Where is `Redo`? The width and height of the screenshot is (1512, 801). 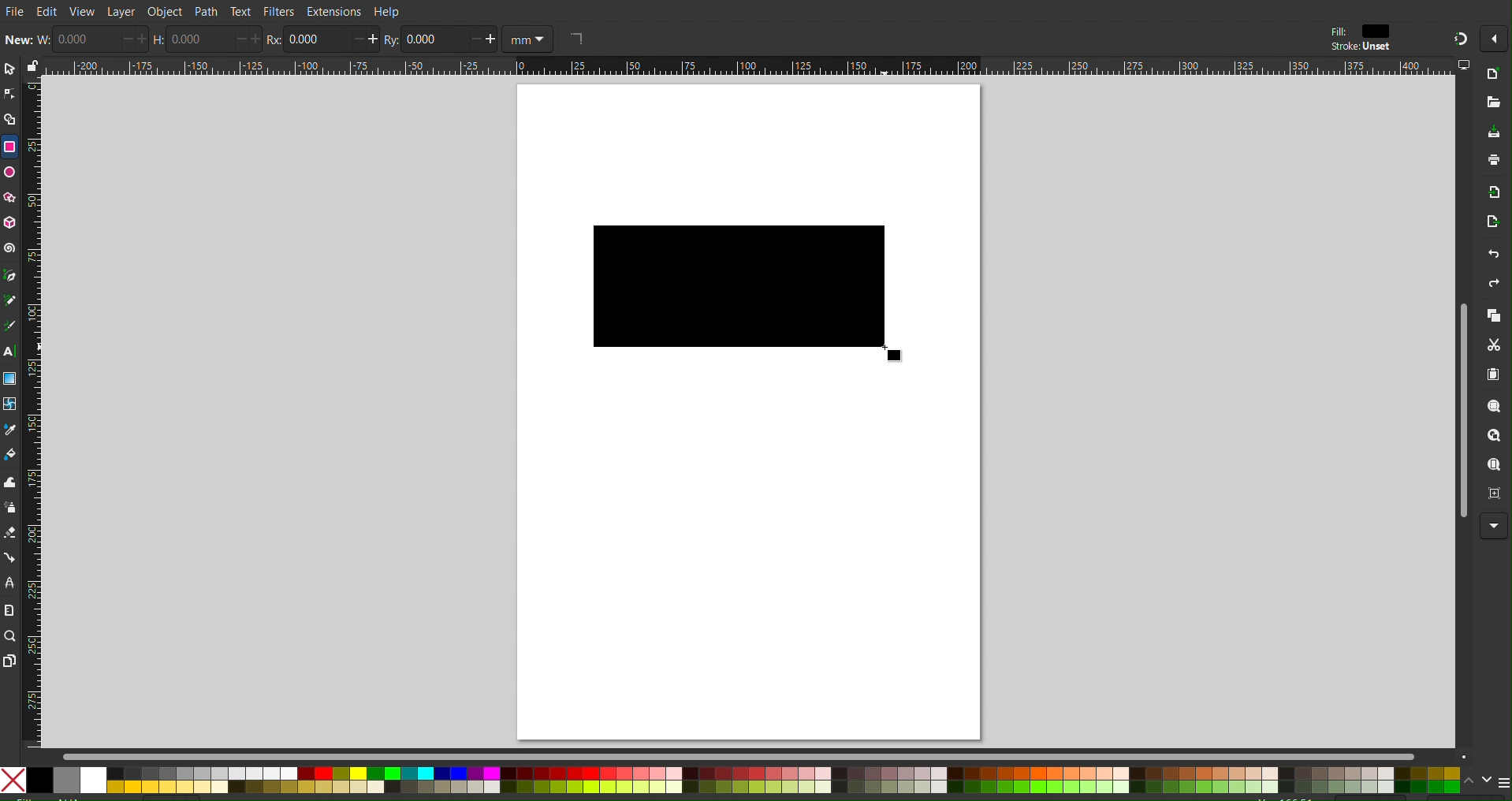 Redo is located at coordinates (1494, 287).